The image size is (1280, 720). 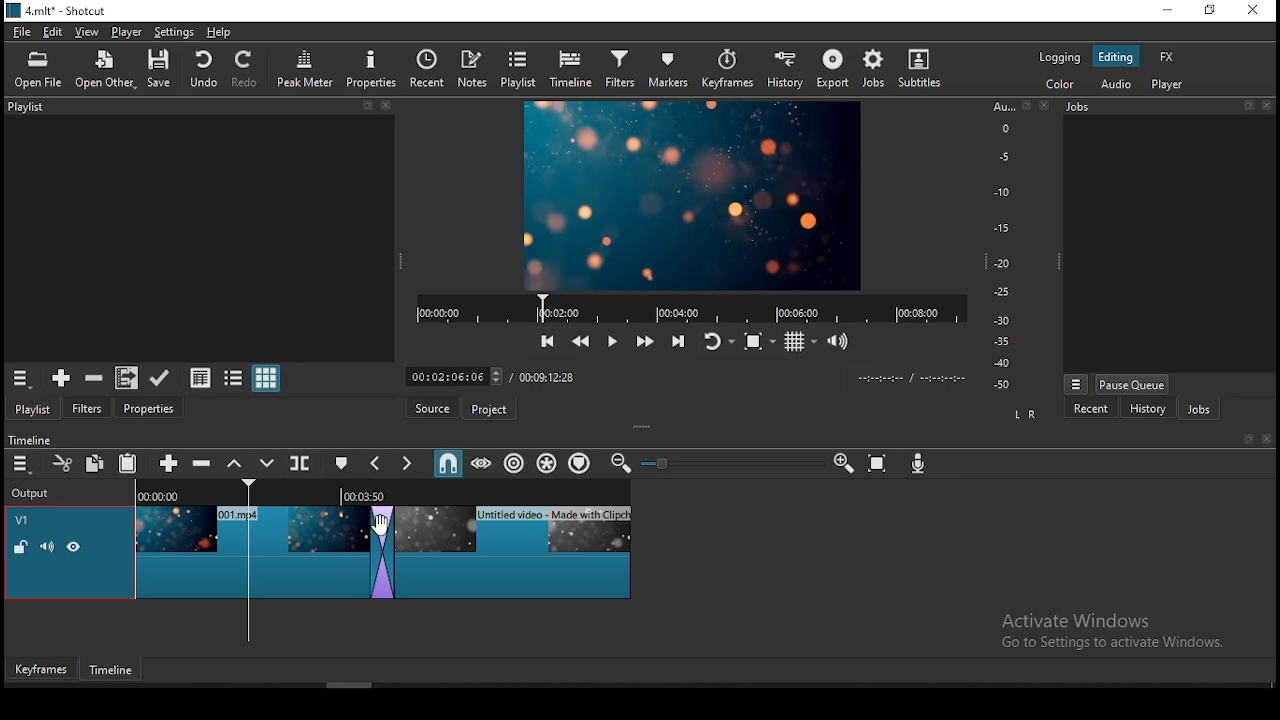 I want to click on redo, so click(x=247, y=69).